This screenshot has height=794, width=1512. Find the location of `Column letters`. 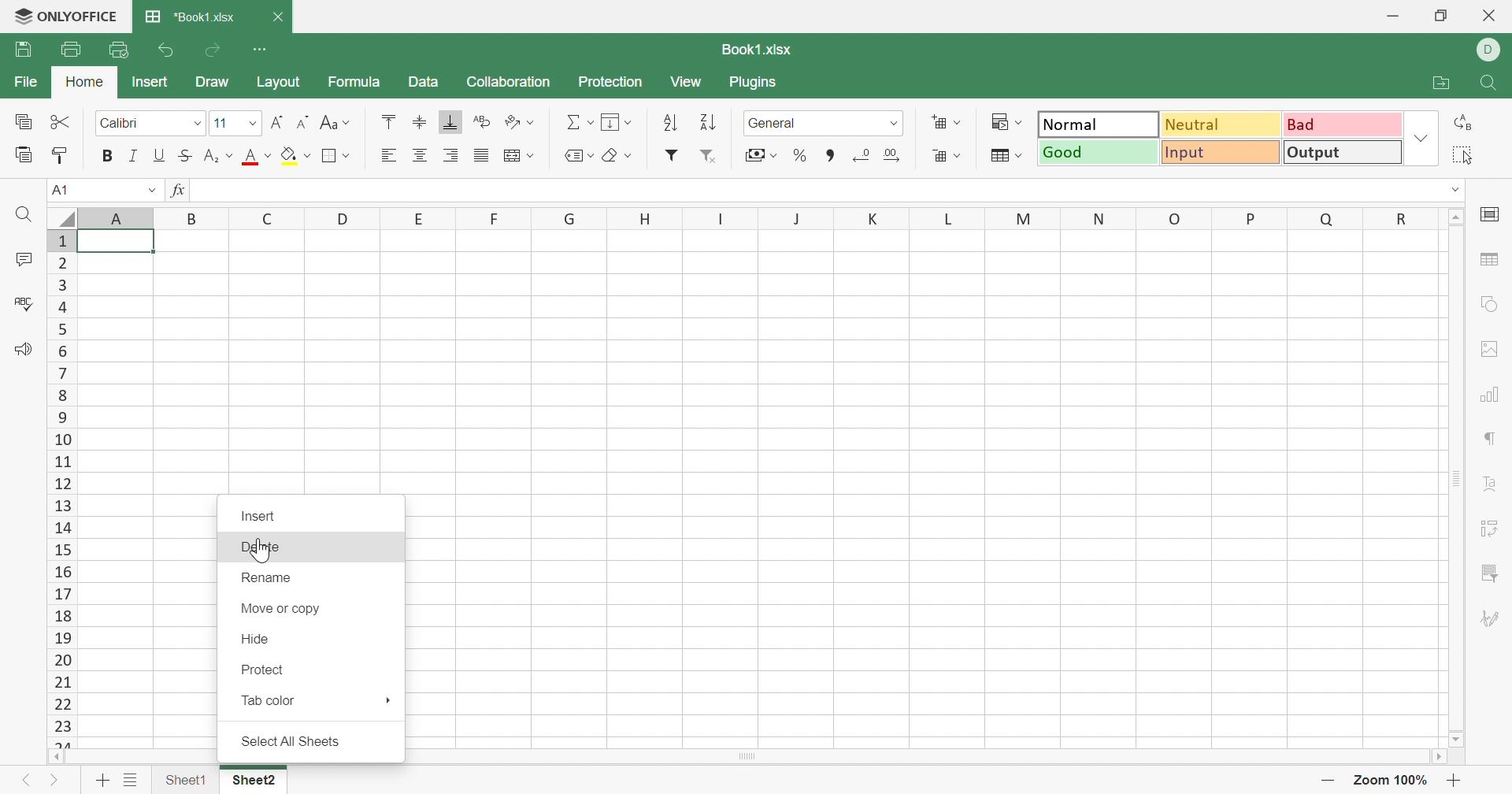

Column letters is located at coordinates (746, 217).